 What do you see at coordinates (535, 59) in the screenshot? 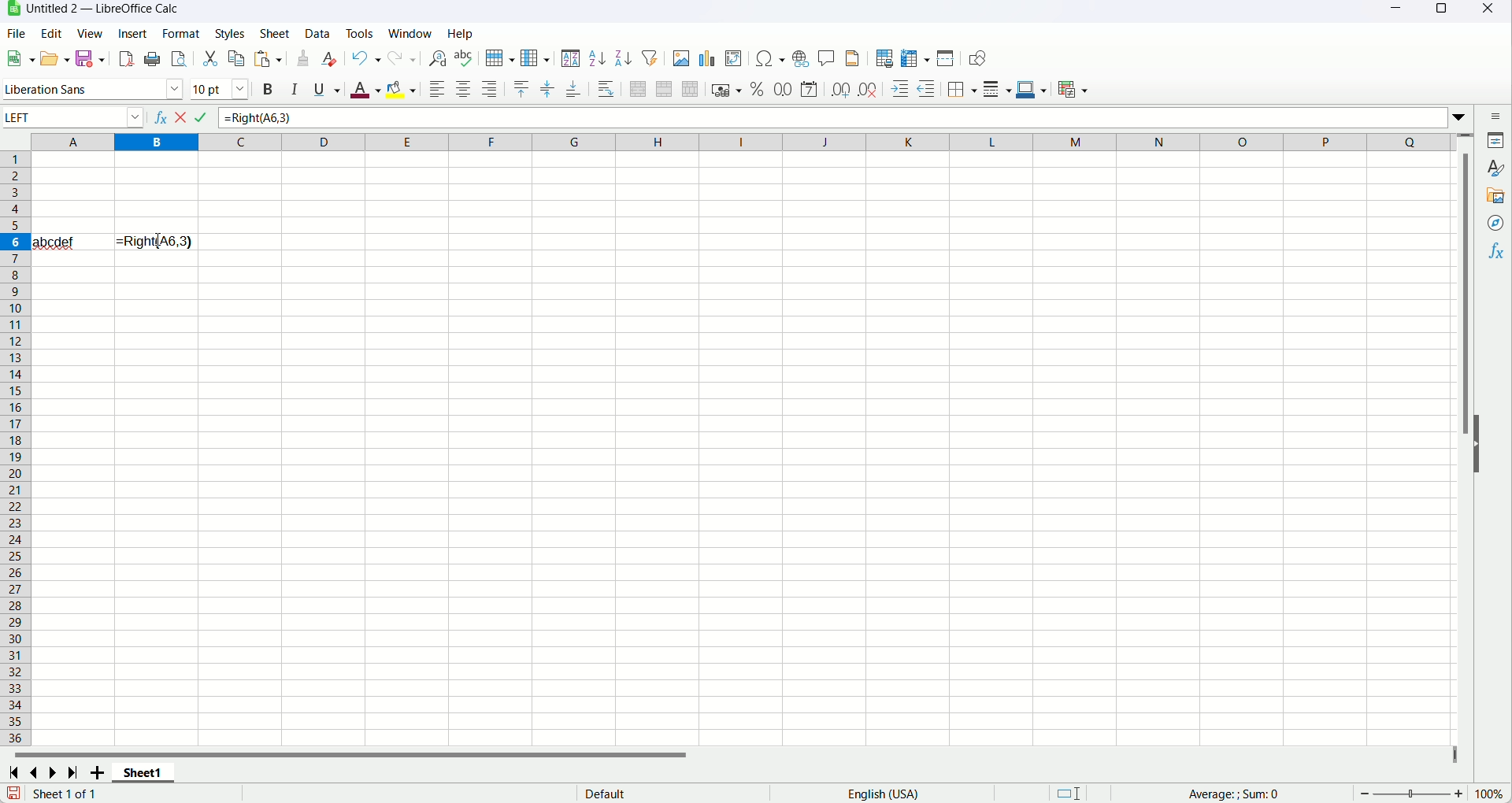
I see `column` at bounding box center [535, 59].